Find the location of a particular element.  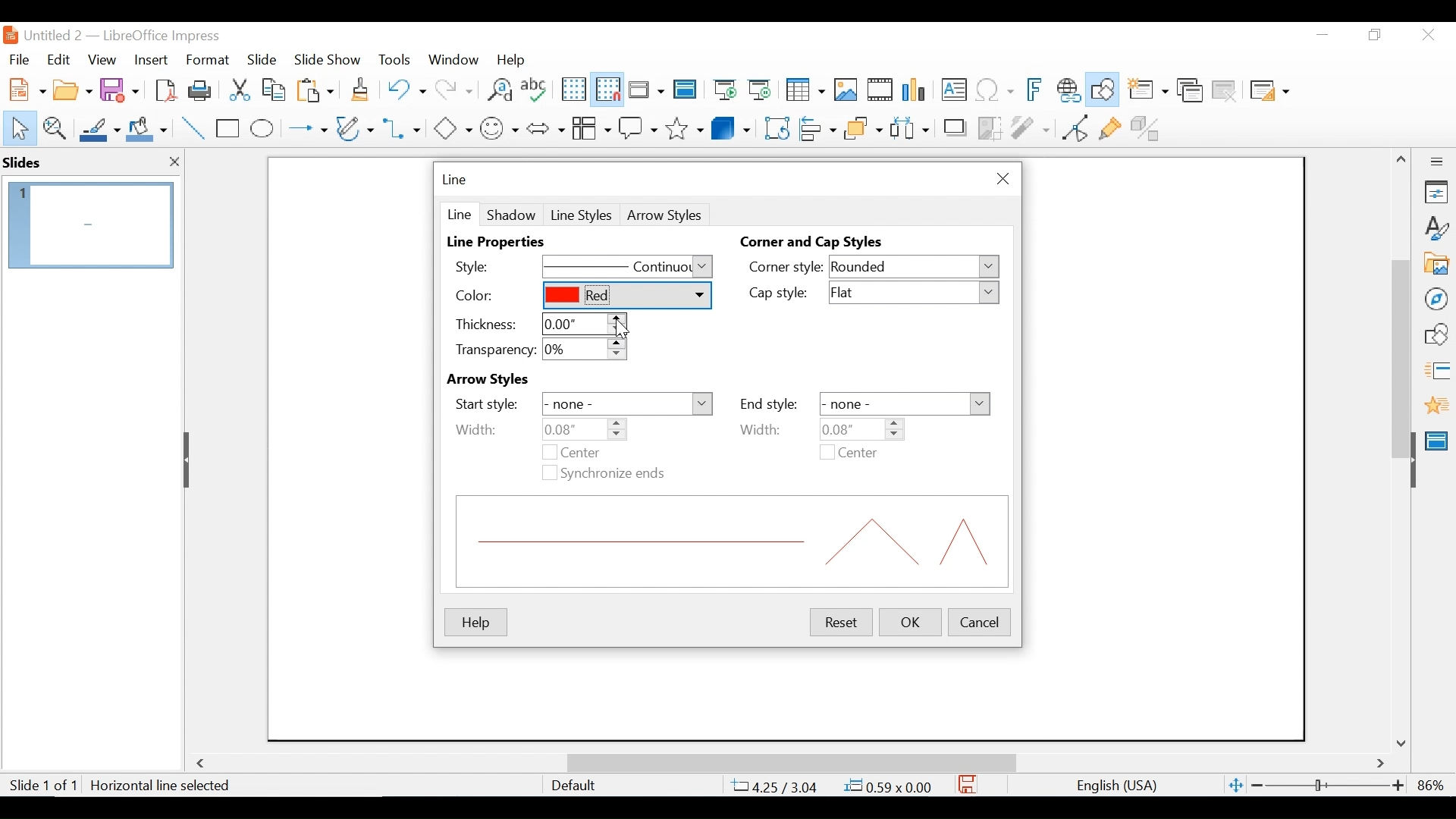

Window is located at coordinates (453, 59).